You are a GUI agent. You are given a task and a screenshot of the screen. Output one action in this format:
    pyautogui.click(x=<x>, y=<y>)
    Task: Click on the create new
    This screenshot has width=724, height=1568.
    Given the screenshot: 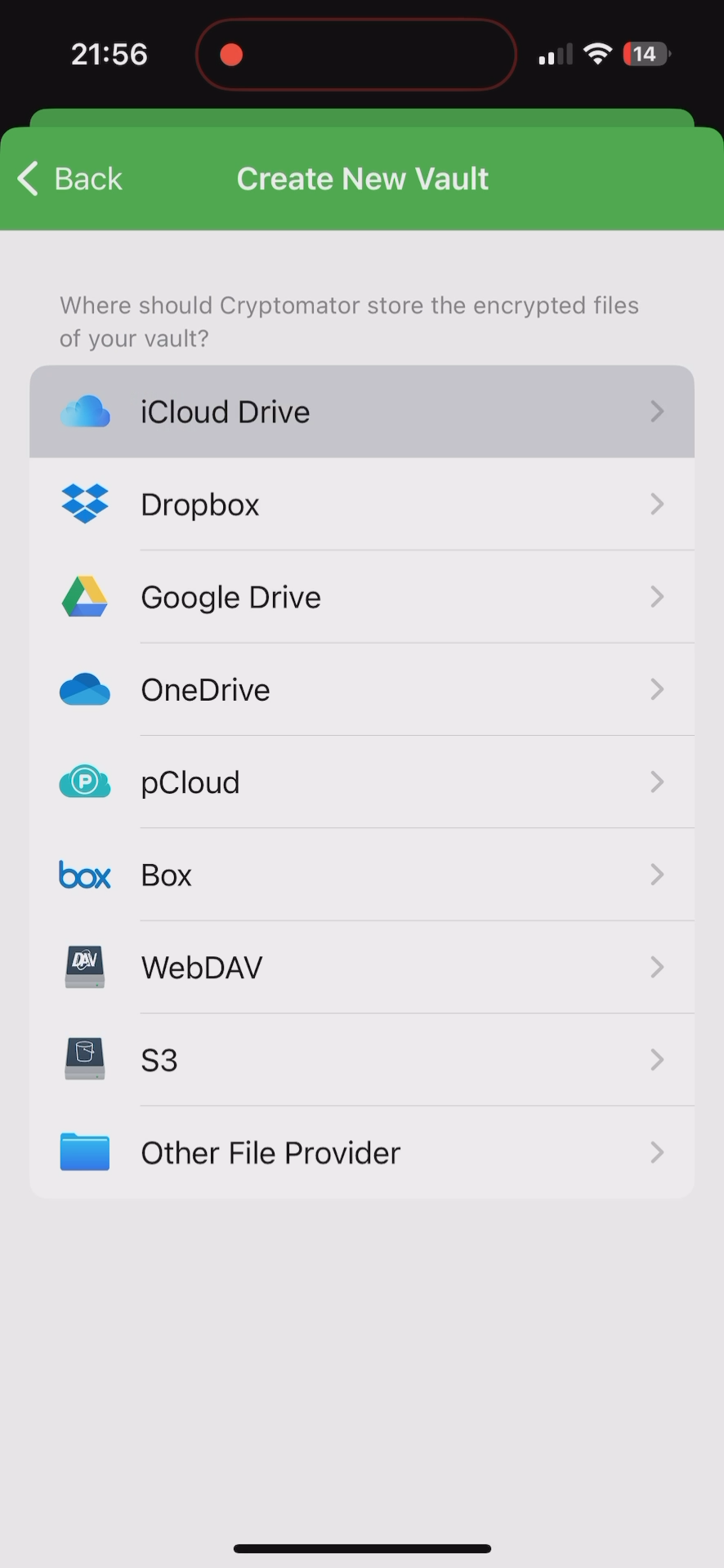 What is the action you would take?
    pyautogui.click(x=362, y=180)
    